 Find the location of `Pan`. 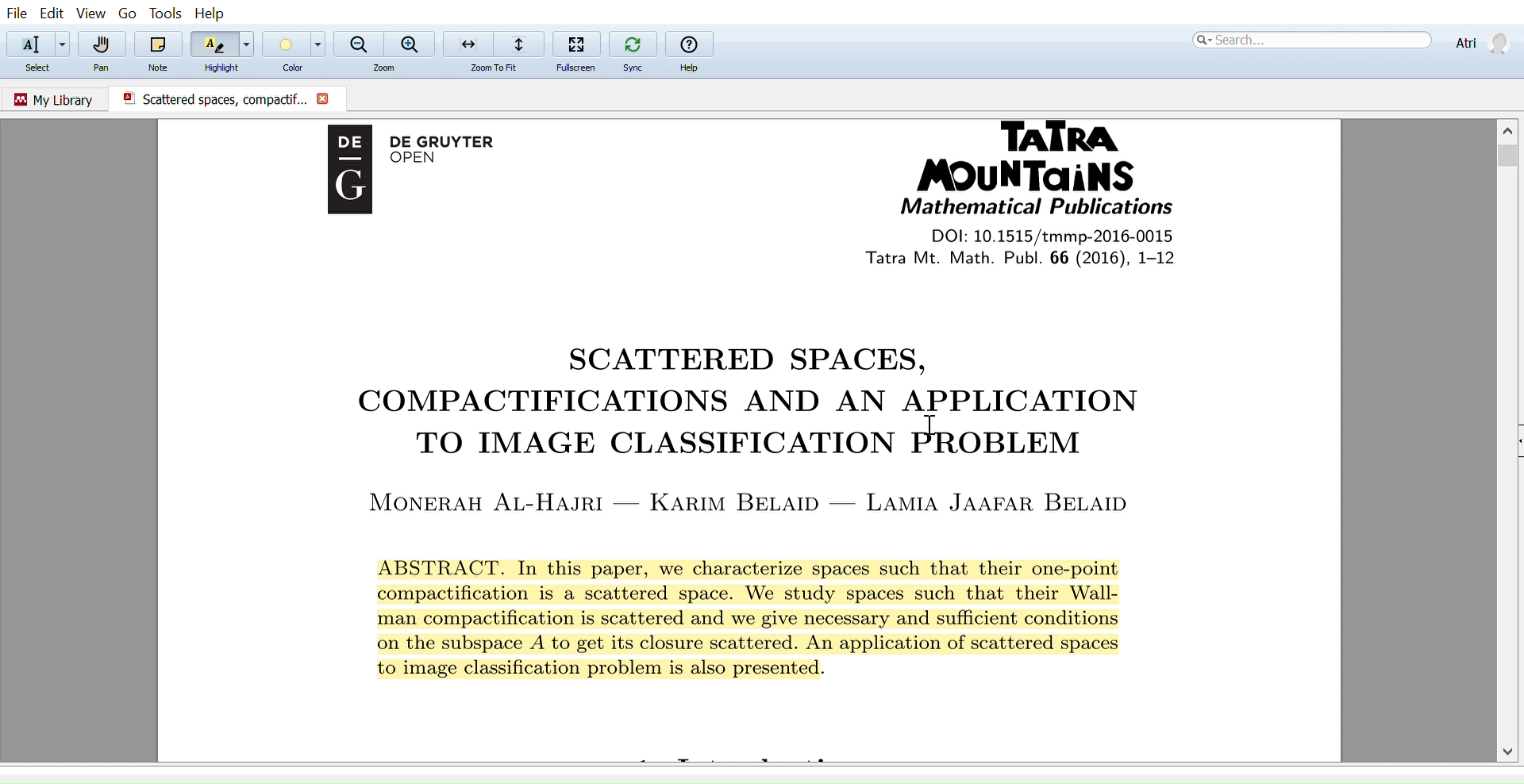

Pan is located at coordinates (103, 69).